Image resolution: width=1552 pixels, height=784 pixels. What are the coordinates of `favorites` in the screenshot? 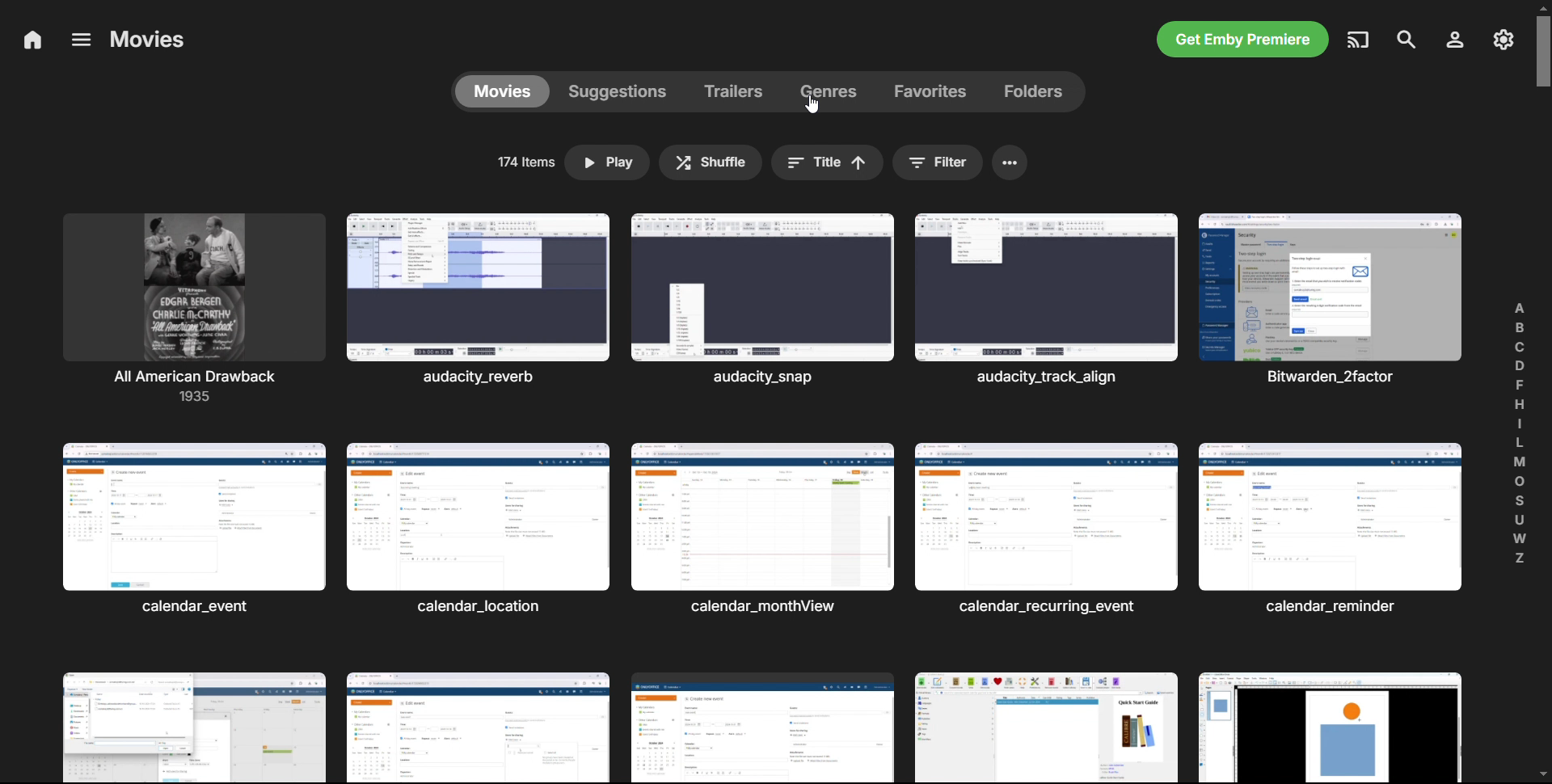 It's located at (933, 92).